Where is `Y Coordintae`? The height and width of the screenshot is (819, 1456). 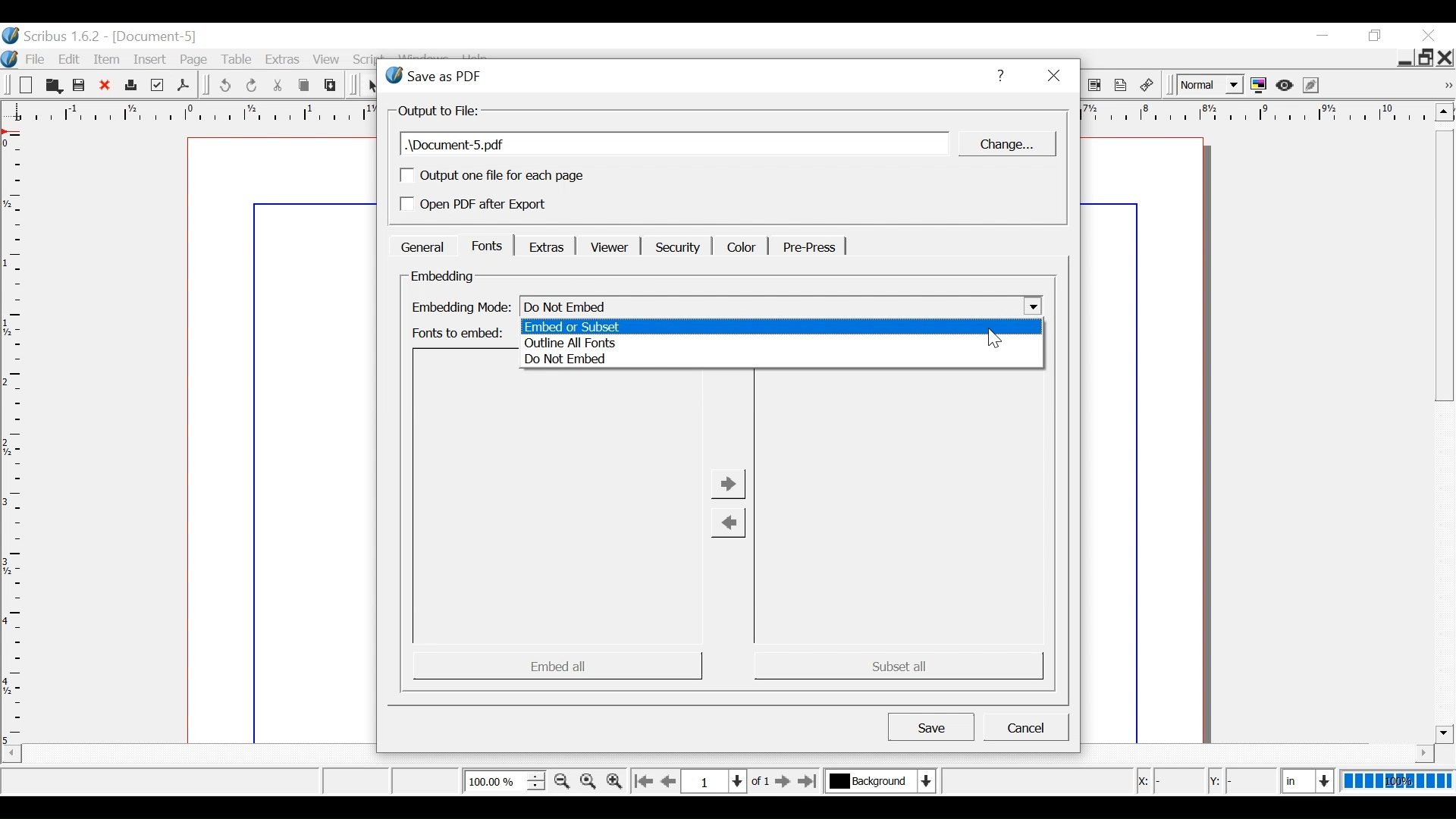
Y Coordintae is located at coordinates (1241, 782).